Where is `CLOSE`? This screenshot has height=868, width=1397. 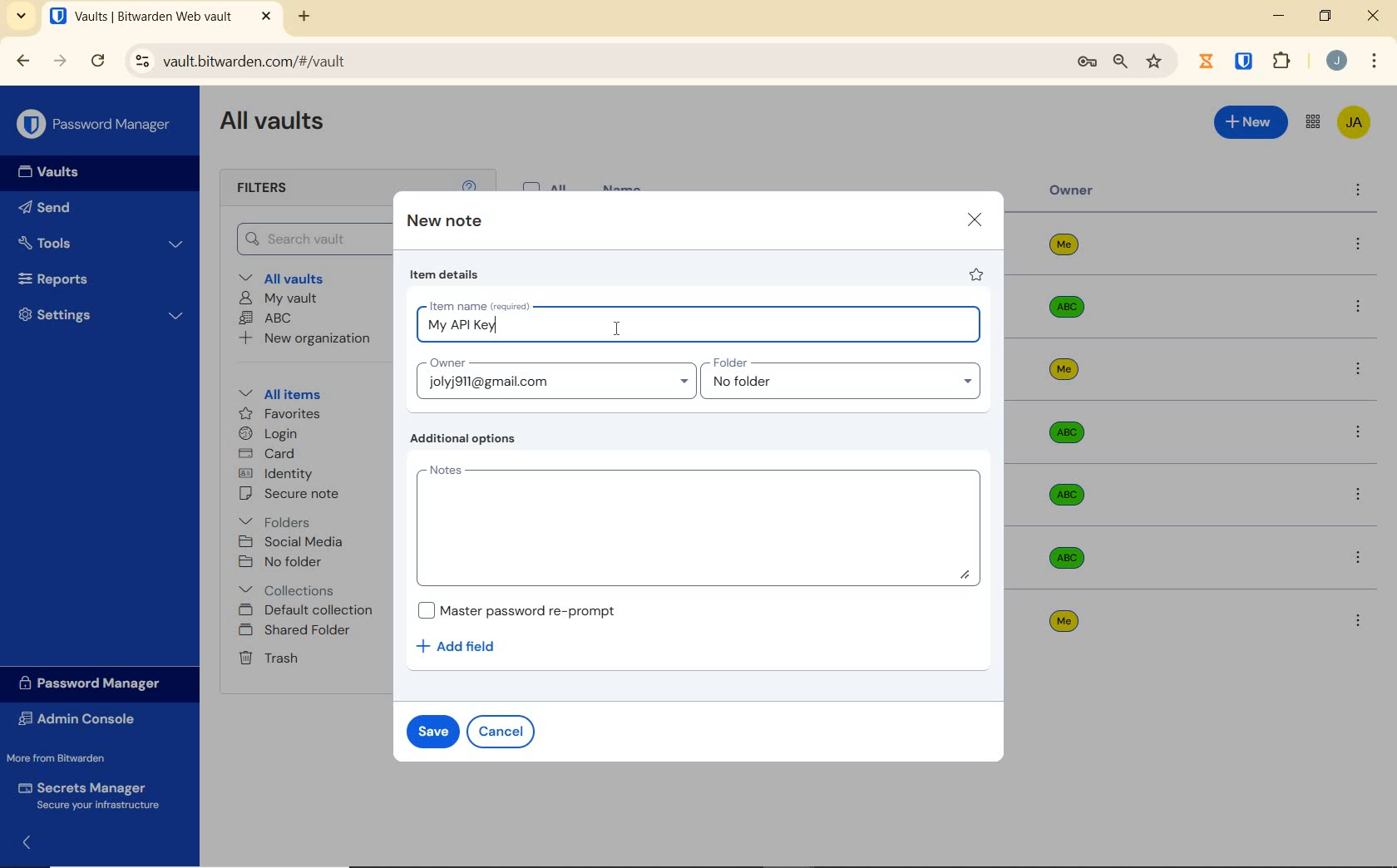 CLOSE is located at coordinates (1375, 20).